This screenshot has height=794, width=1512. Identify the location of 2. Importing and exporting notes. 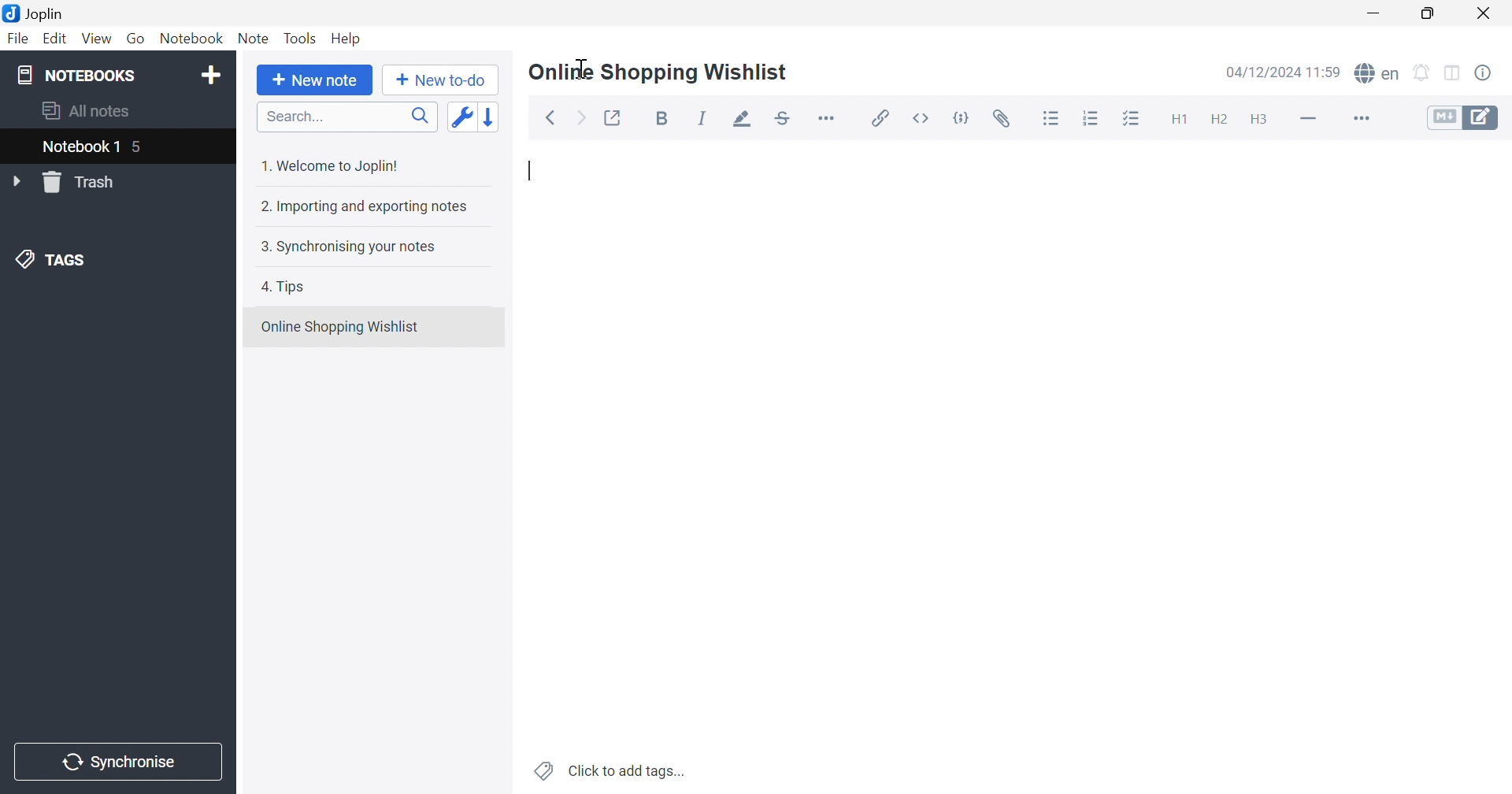
(365, 208).